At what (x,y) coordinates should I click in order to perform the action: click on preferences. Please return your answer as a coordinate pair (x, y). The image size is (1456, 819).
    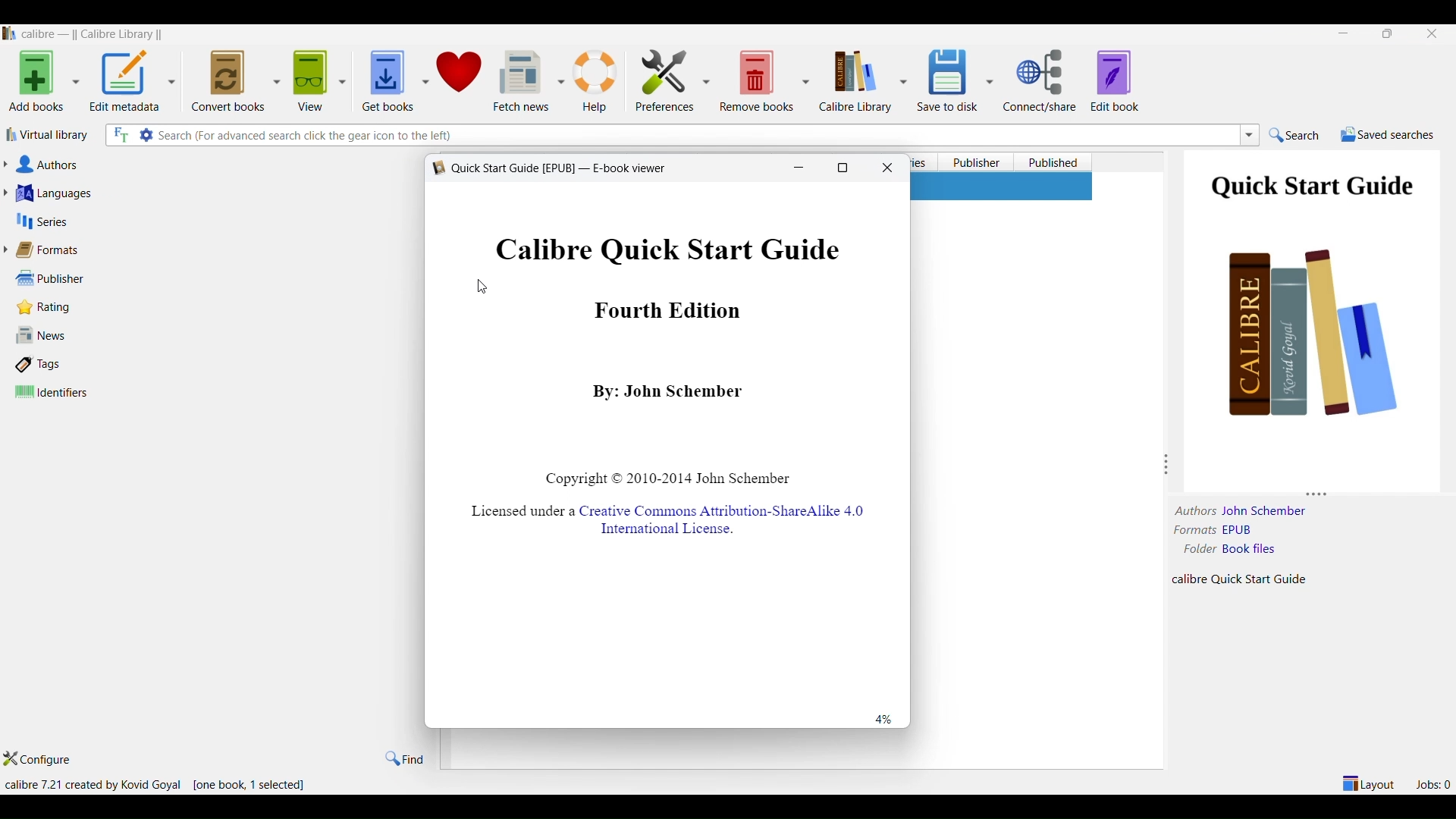
    Looking at the image, I should click on (665, 81).